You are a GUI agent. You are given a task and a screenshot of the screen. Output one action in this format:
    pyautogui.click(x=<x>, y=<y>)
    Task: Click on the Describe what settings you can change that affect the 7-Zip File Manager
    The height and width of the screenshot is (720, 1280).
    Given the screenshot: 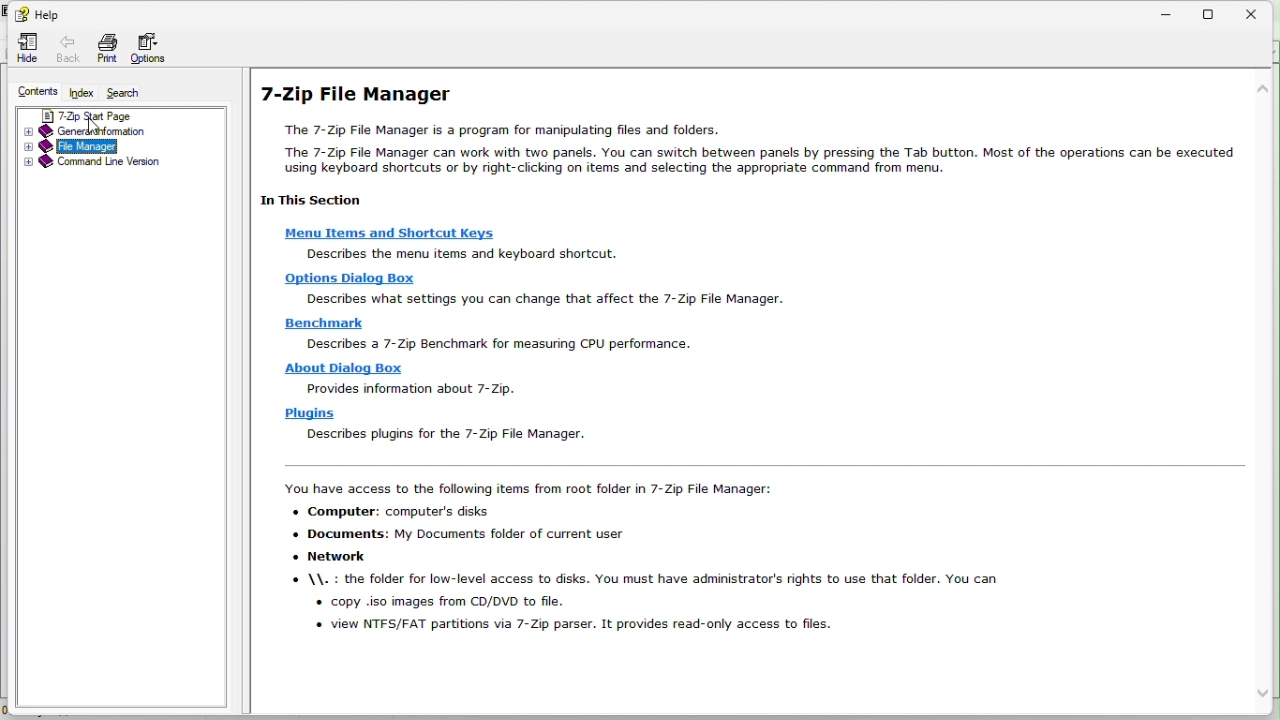 What is the action you would take?
    pyautogui.click(x=538, y=299)
    